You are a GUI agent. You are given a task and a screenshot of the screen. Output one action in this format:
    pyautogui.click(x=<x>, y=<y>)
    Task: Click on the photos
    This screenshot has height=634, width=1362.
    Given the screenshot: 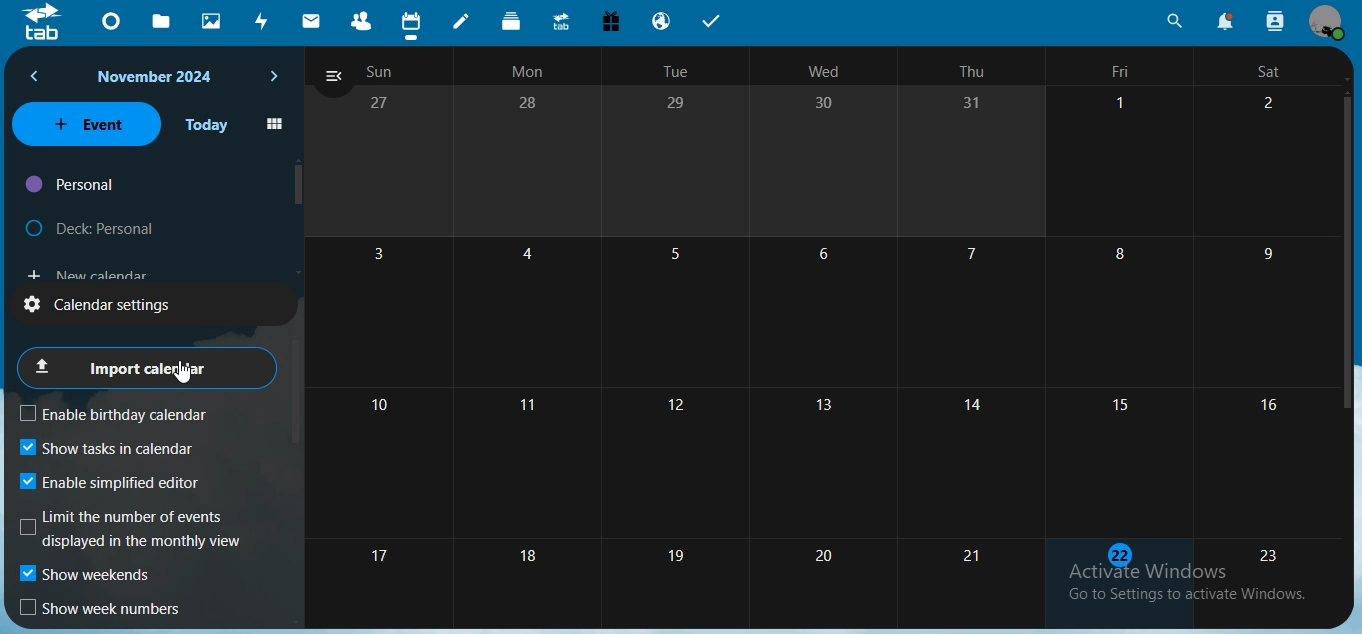 What is the action you would take?
    pyautogui.click(x=212, y=22)
    